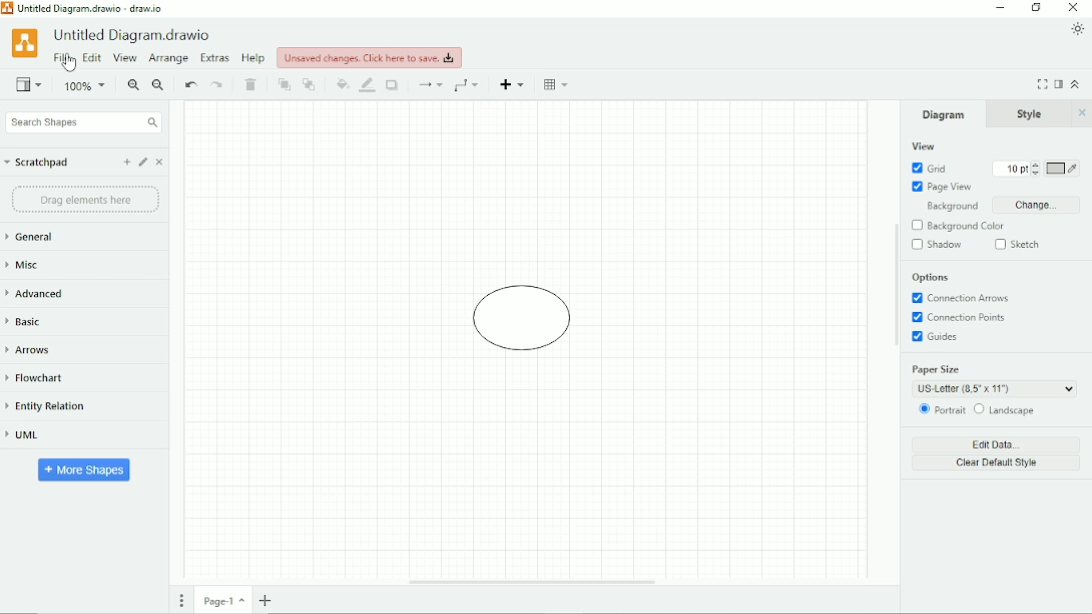 The height and width of the screenshot is (614, 1092). Describe the element at coordinates (367, 85) in the screenshot. I see `Line color` at that location.